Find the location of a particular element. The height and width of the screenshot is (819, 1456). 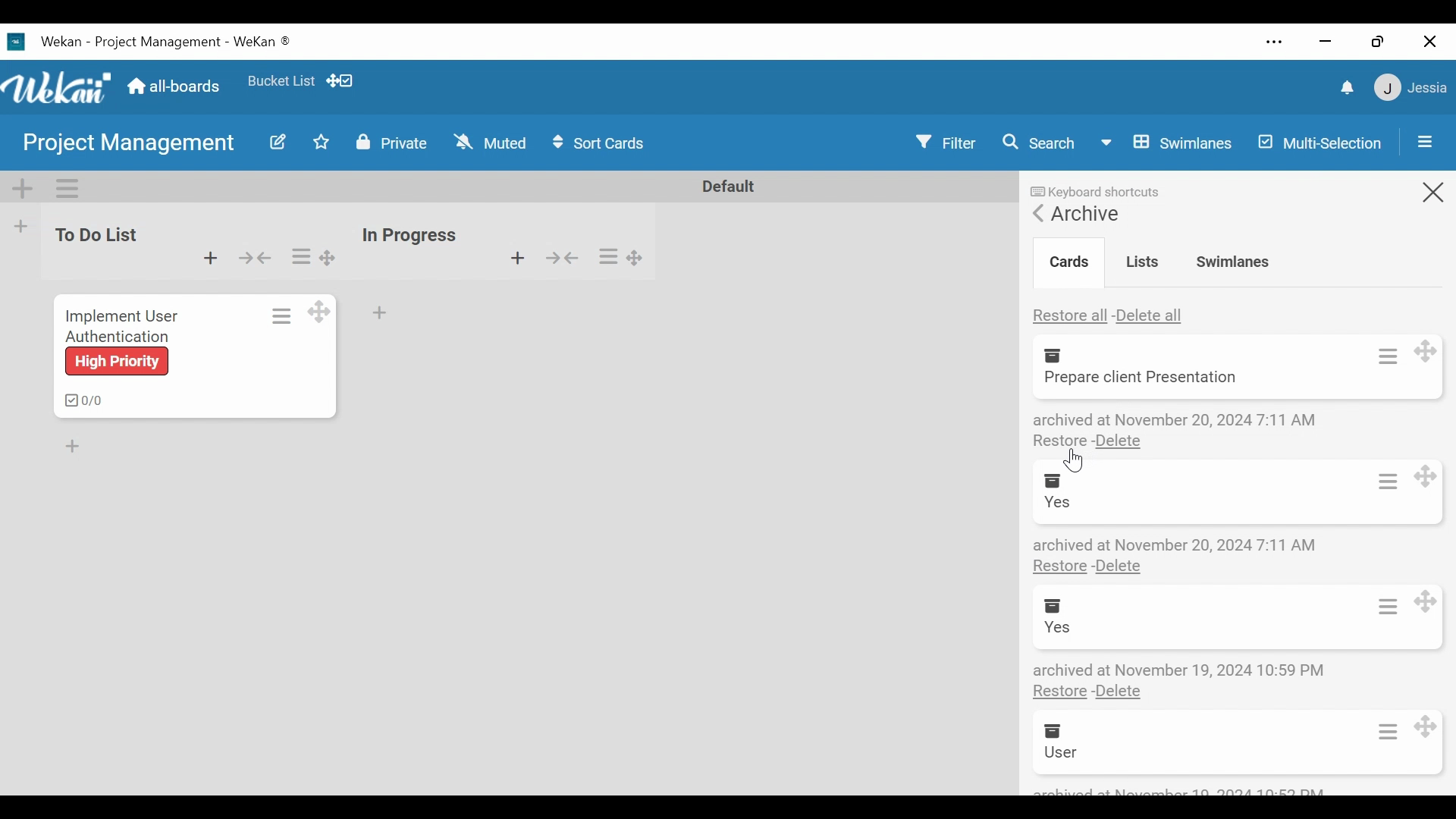

Board Name is located at coordinates (133, 143).